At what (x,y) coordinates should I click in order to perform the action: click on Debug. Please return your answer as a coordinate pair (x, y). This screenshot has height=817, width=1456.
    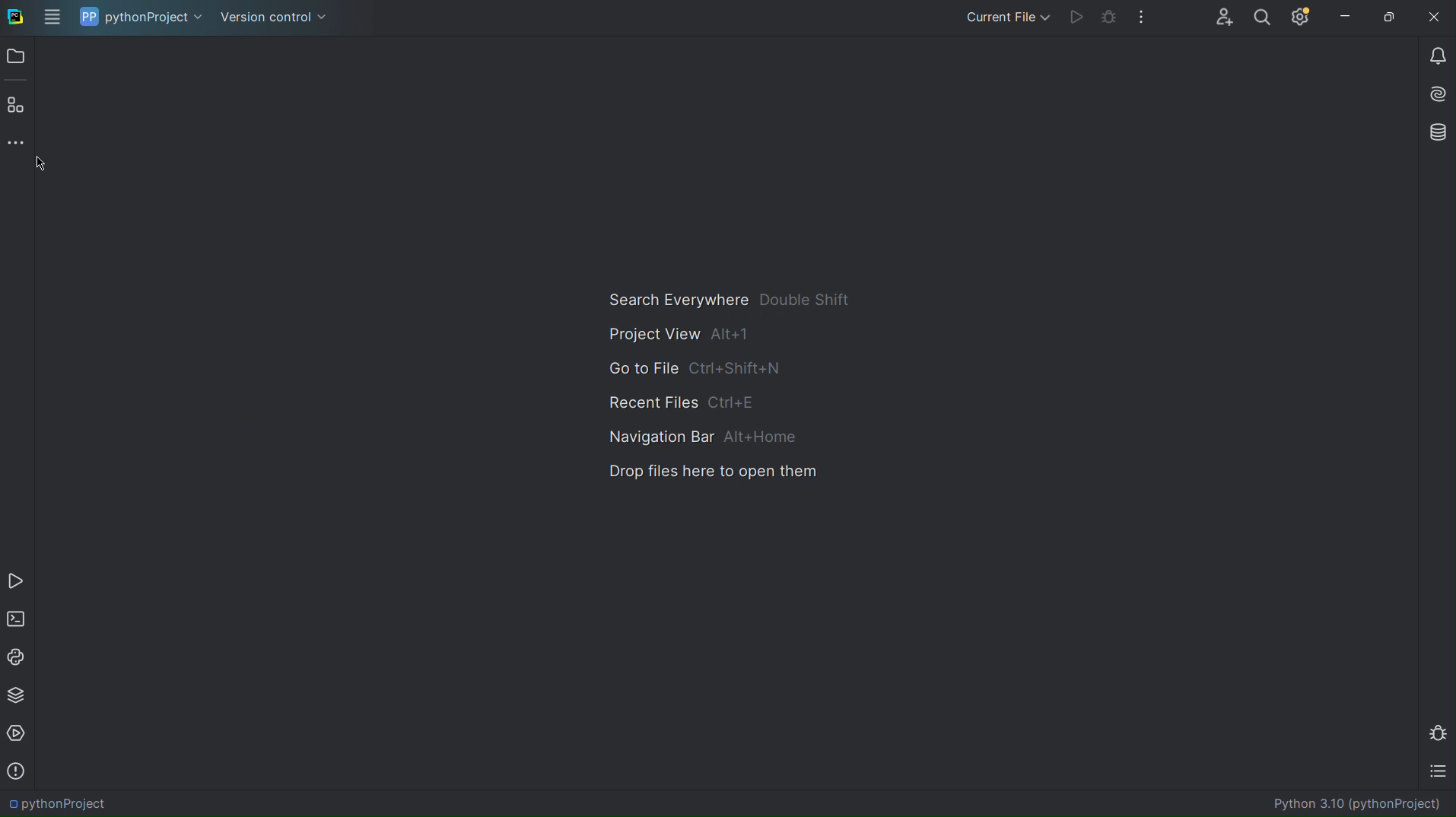
    Looking at the image, I should click on (1437, 730).